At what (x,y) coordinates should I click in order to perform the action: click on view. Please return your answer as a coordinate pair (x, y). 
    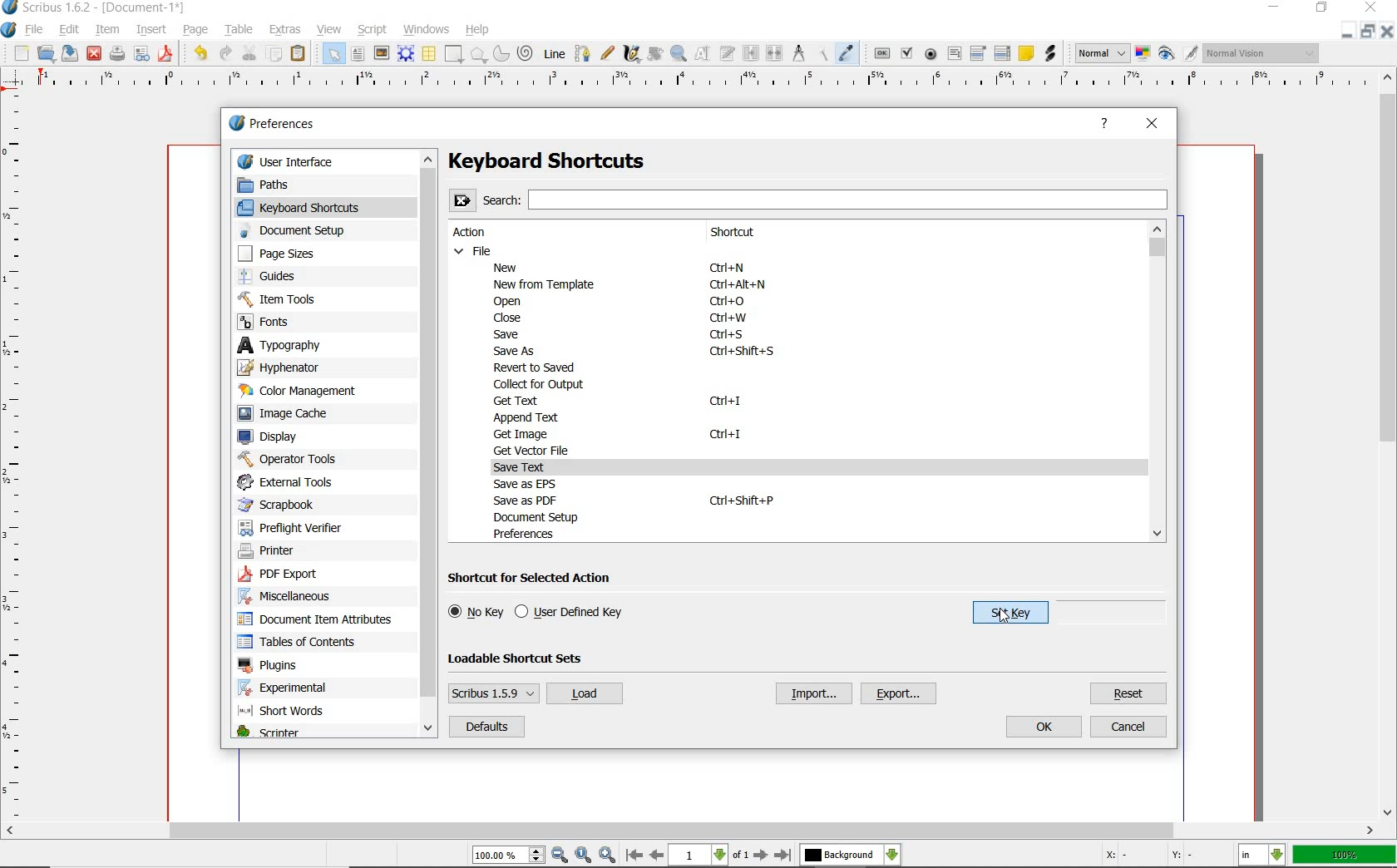
    Looking at the image, I should click on (330, 30).